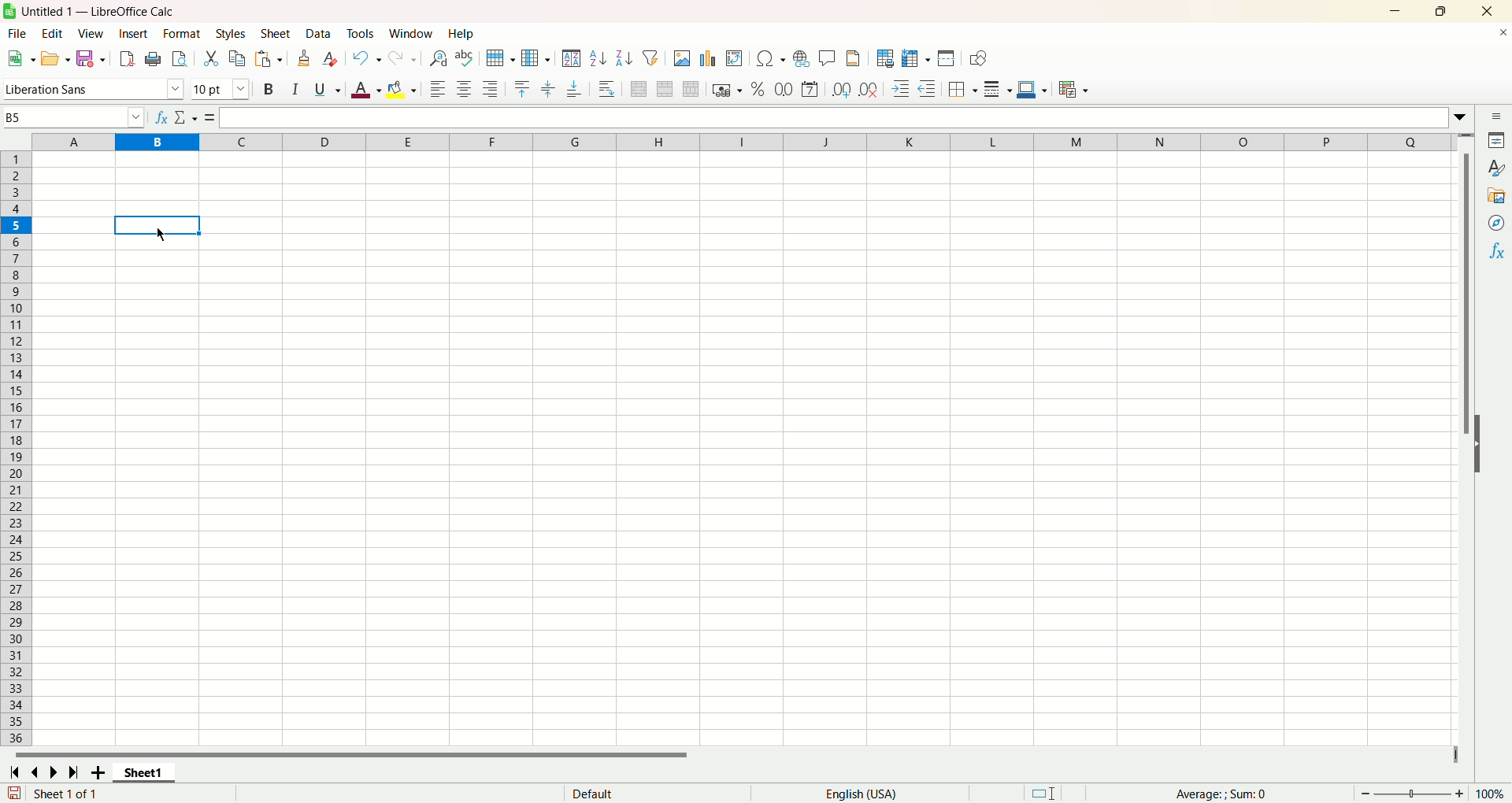  Describe the element at coordinates (465, 89) in the screenshot. I see `align center` at that location.